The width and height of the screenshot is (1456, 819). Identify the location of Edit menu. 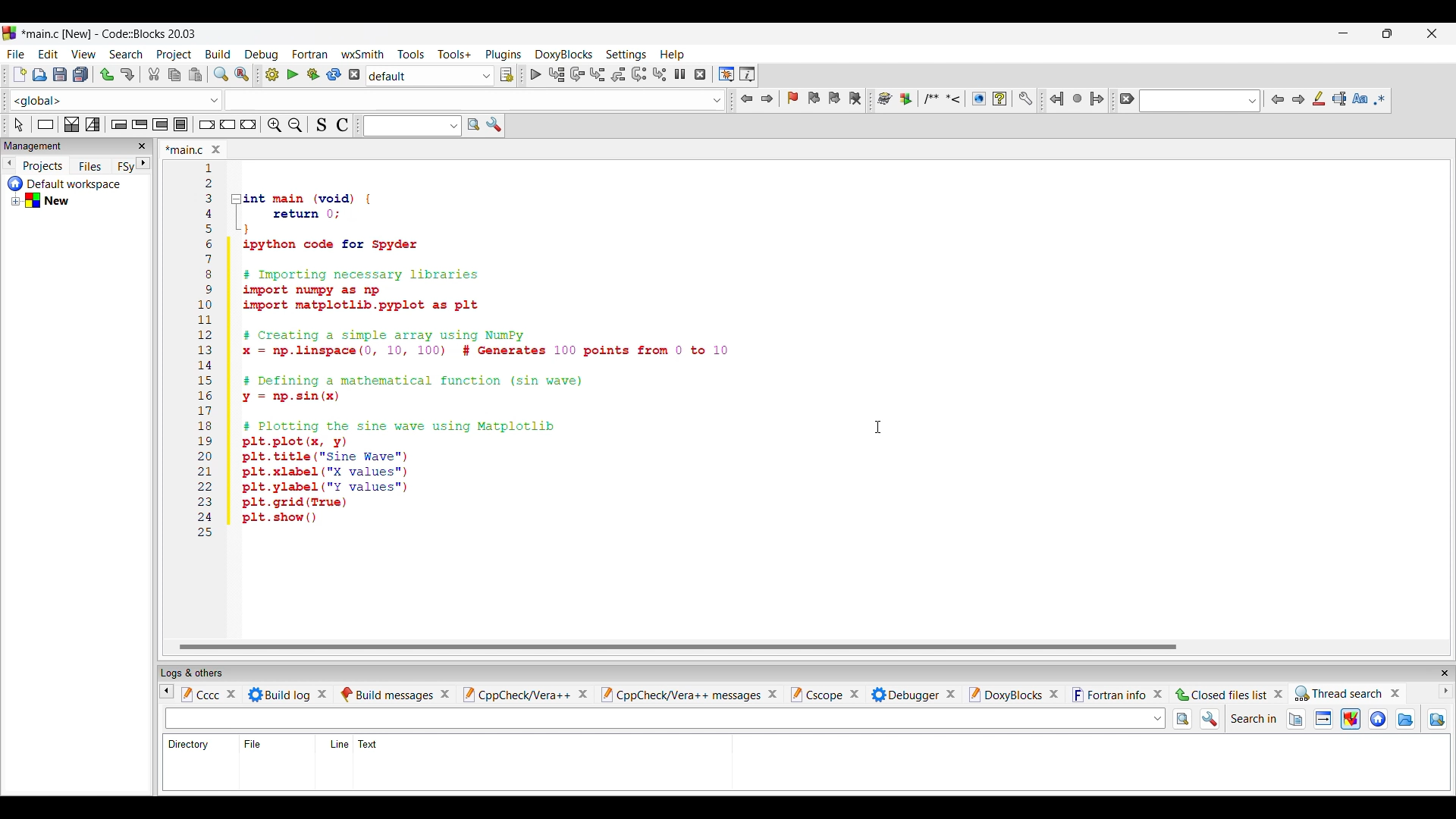
(49, 55).